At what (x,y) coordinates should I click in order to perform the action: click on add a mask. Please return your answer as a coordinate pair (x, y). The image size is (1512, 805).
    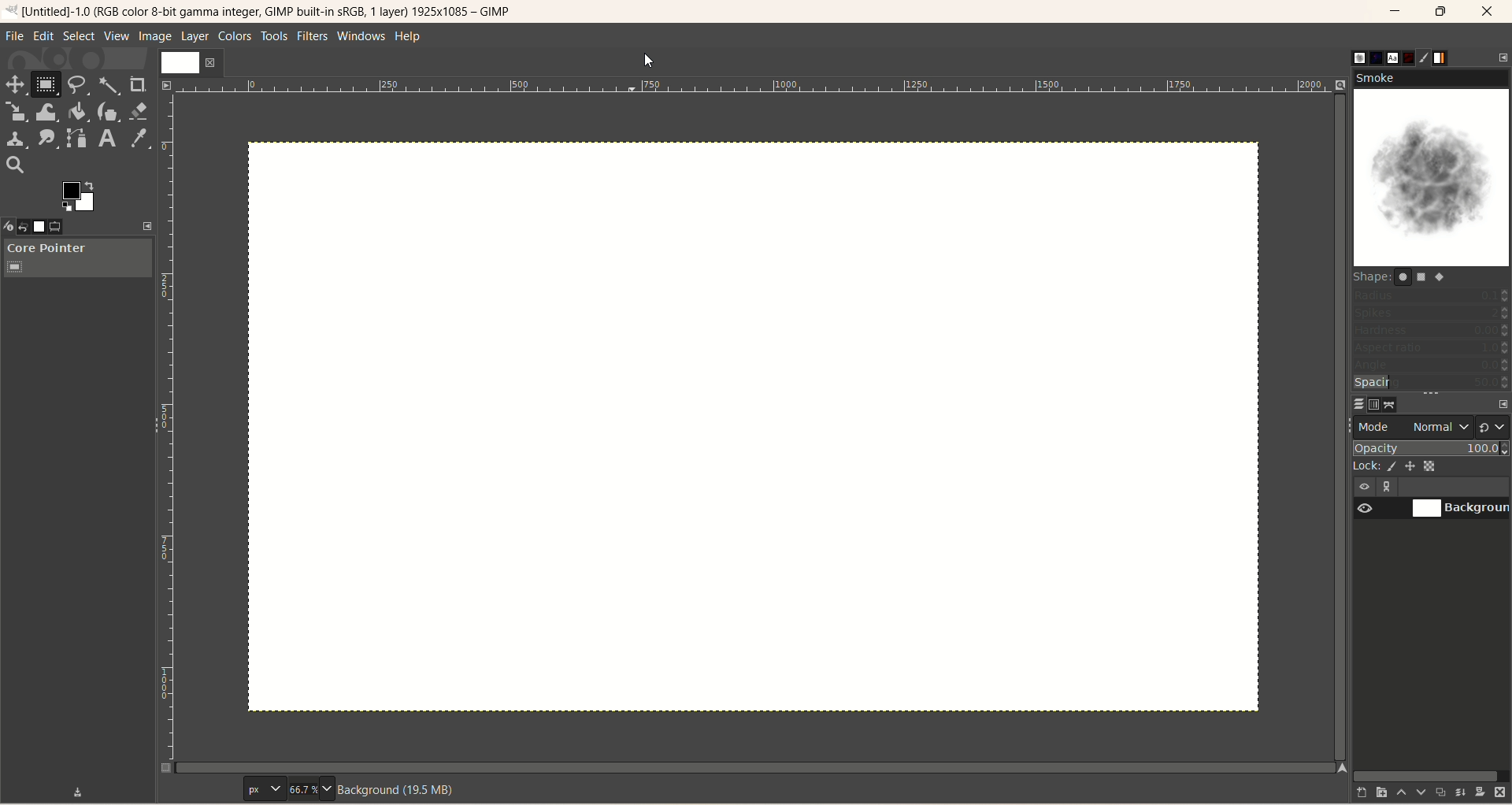
    Looking at the image, I should click on (1478, 792).